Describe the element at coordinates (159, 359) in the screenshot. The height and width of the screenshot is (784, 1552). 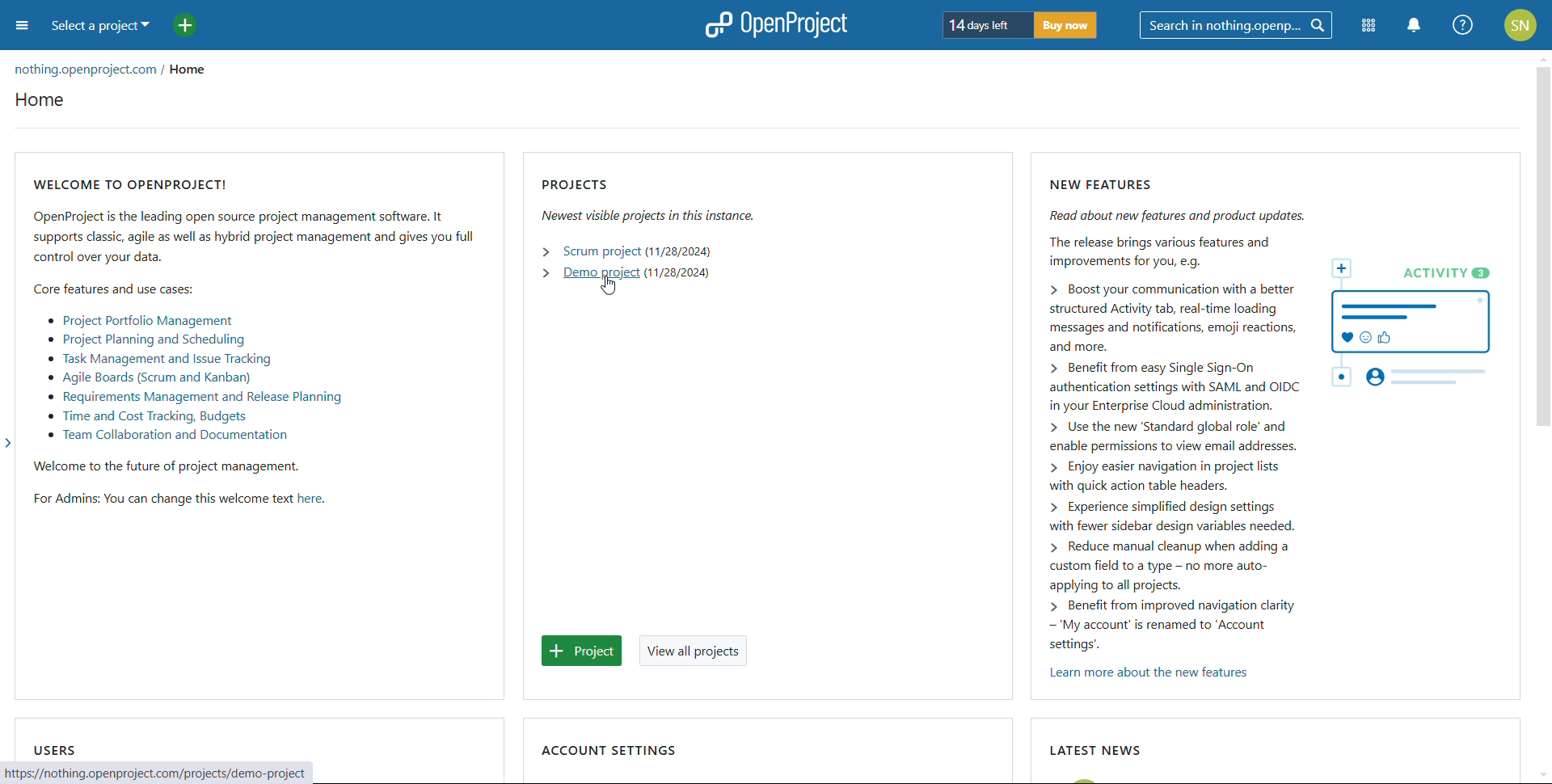
I see `task management and issue tracking` at that location.